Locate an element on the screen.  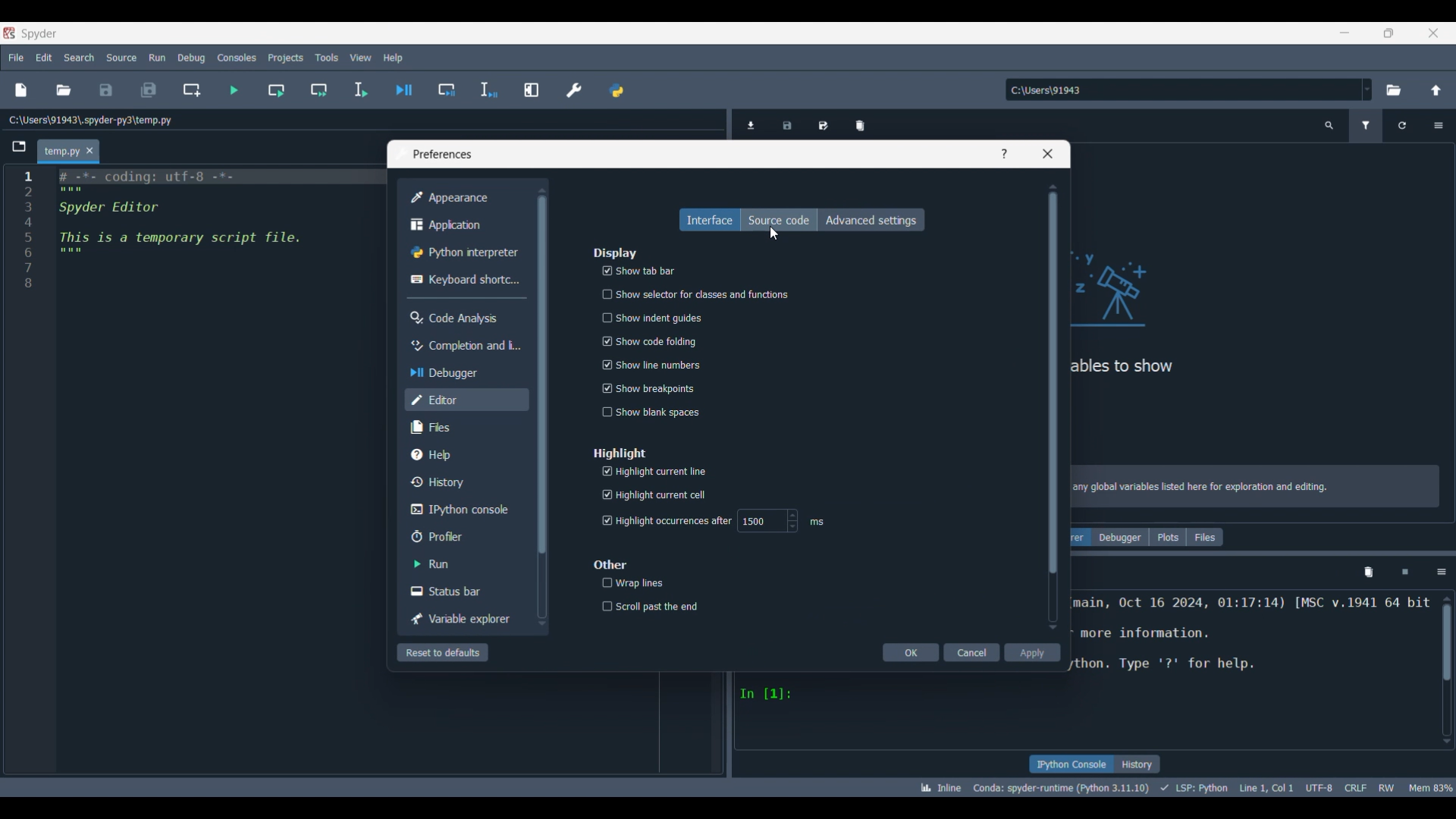
Filter variables is located at coordinates (1366, 126).